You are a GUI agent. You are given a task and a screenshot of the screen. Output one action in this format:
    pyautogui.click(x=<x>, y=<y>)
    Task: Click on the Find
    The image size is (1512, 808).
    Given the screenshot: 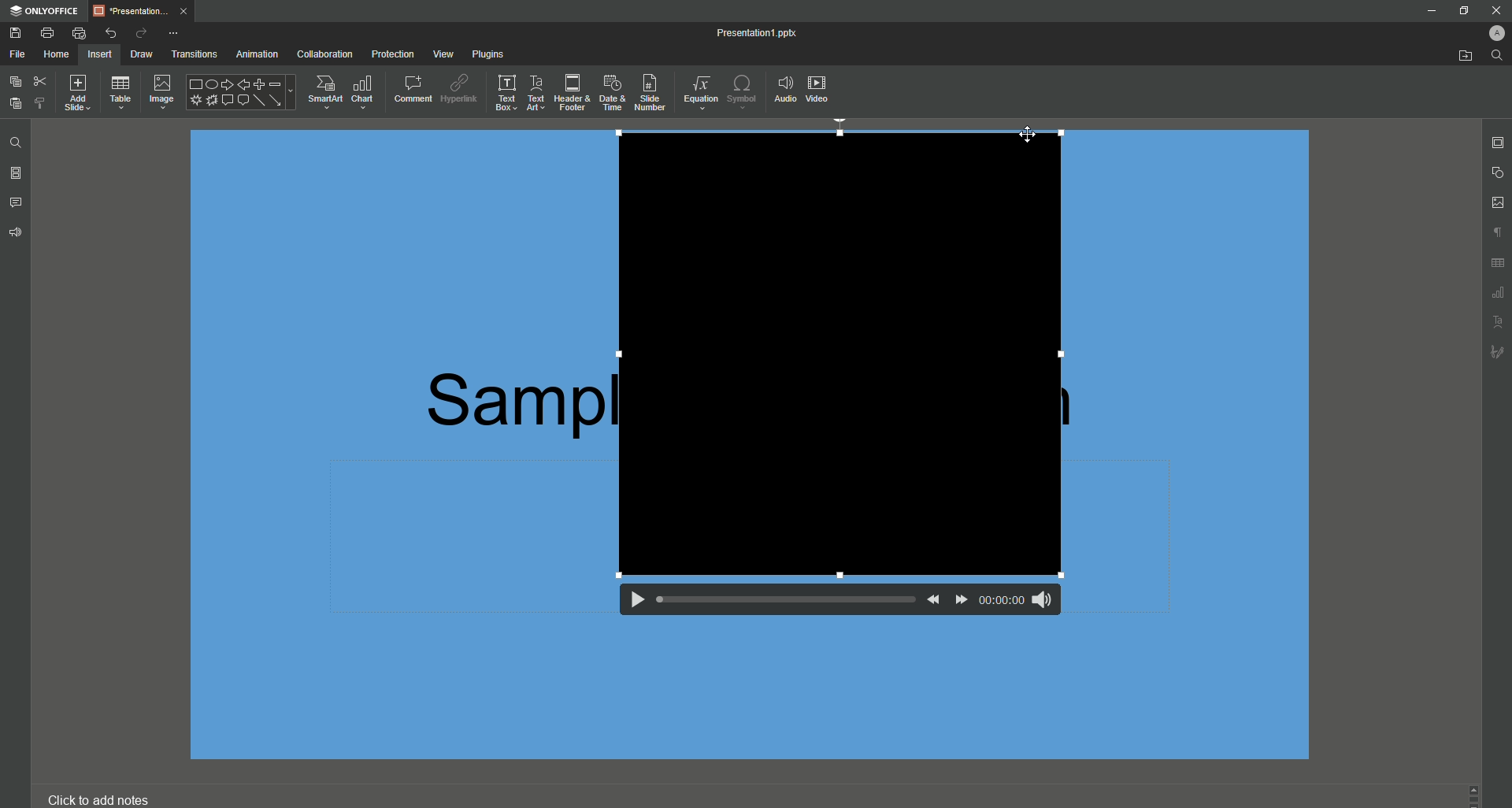 What is the action you would take?
    pyautogui.click(x=14, y=143)
    